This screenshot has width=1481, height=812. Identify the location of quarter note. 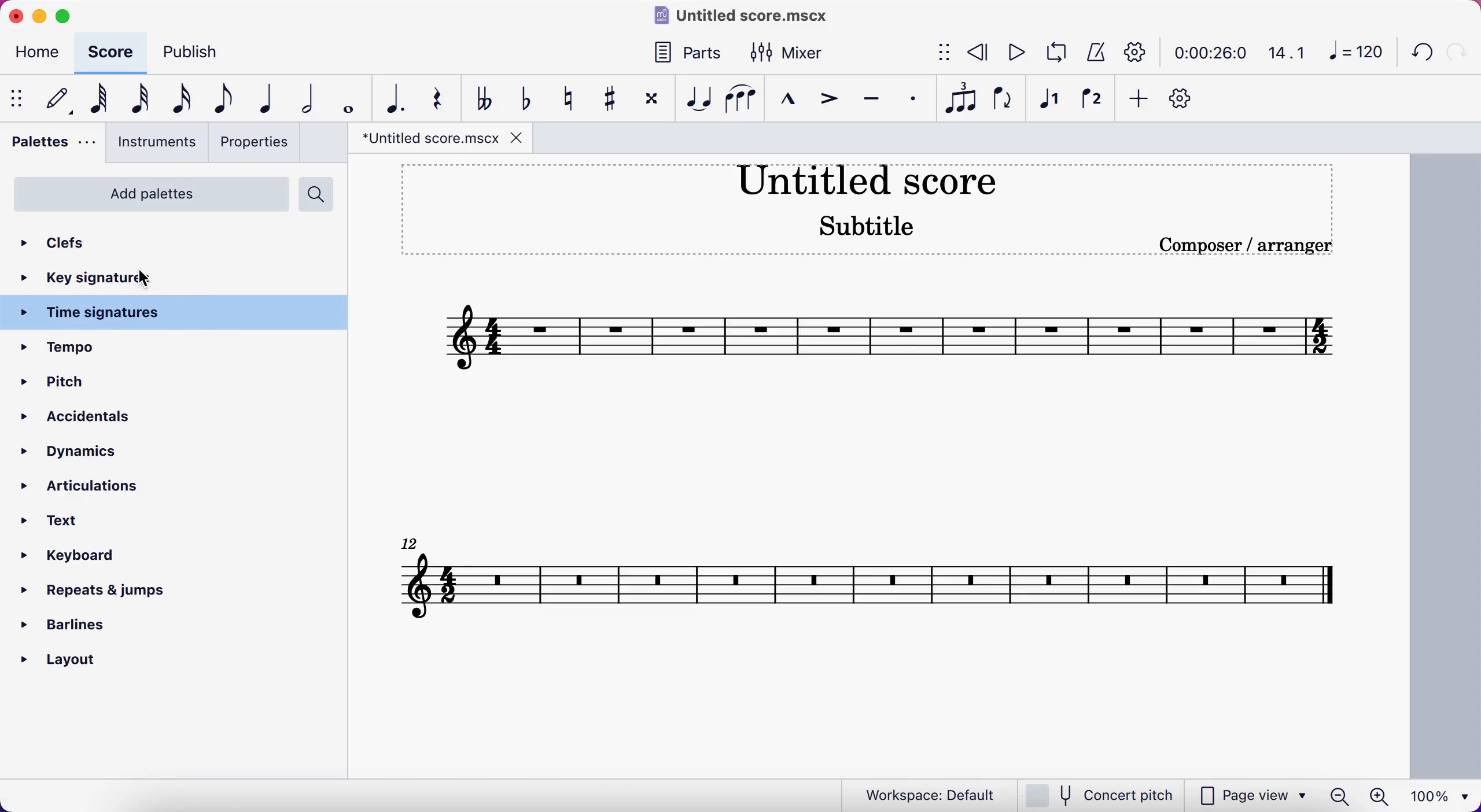
(270, 98).